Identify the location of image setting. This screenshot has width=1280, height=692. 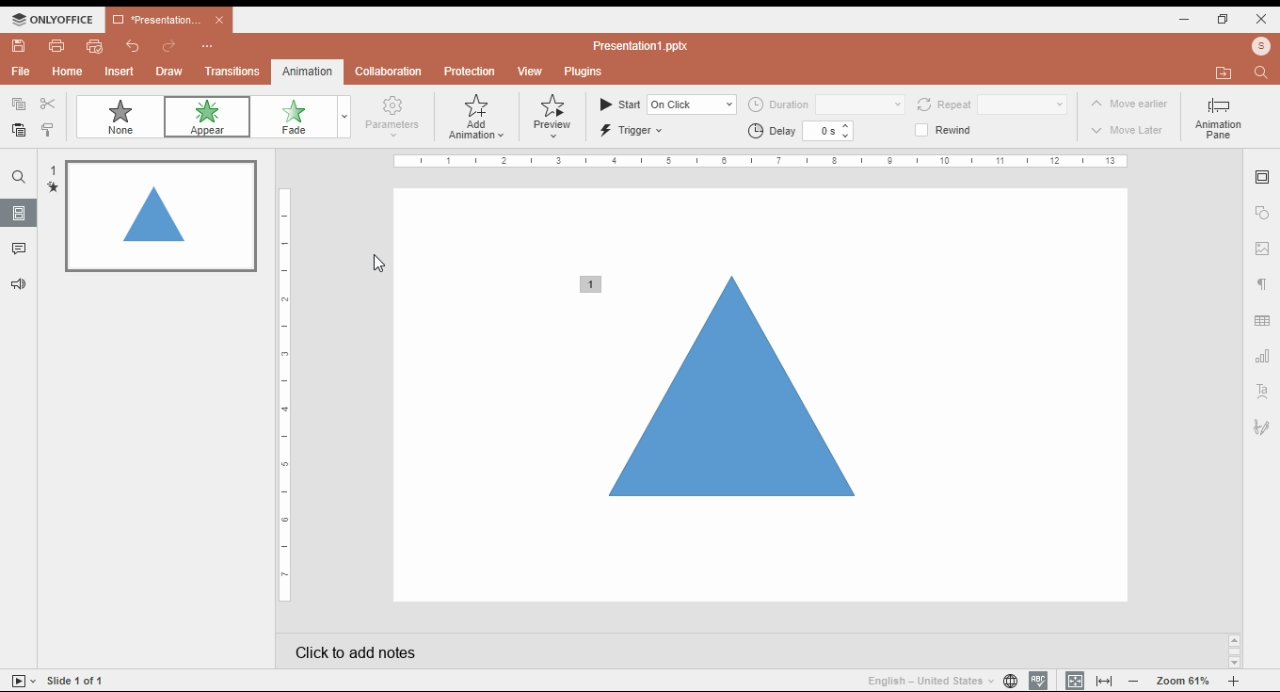
(1263, 249).